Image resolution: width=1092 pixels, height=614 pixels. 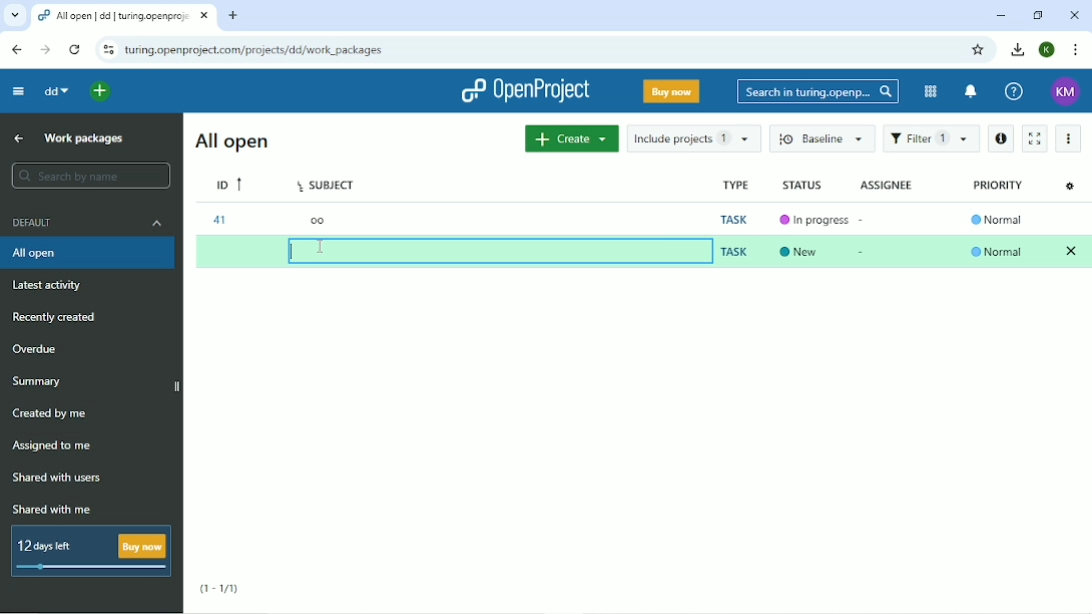 I want to click on Buy now, so click(x=670, y=93).